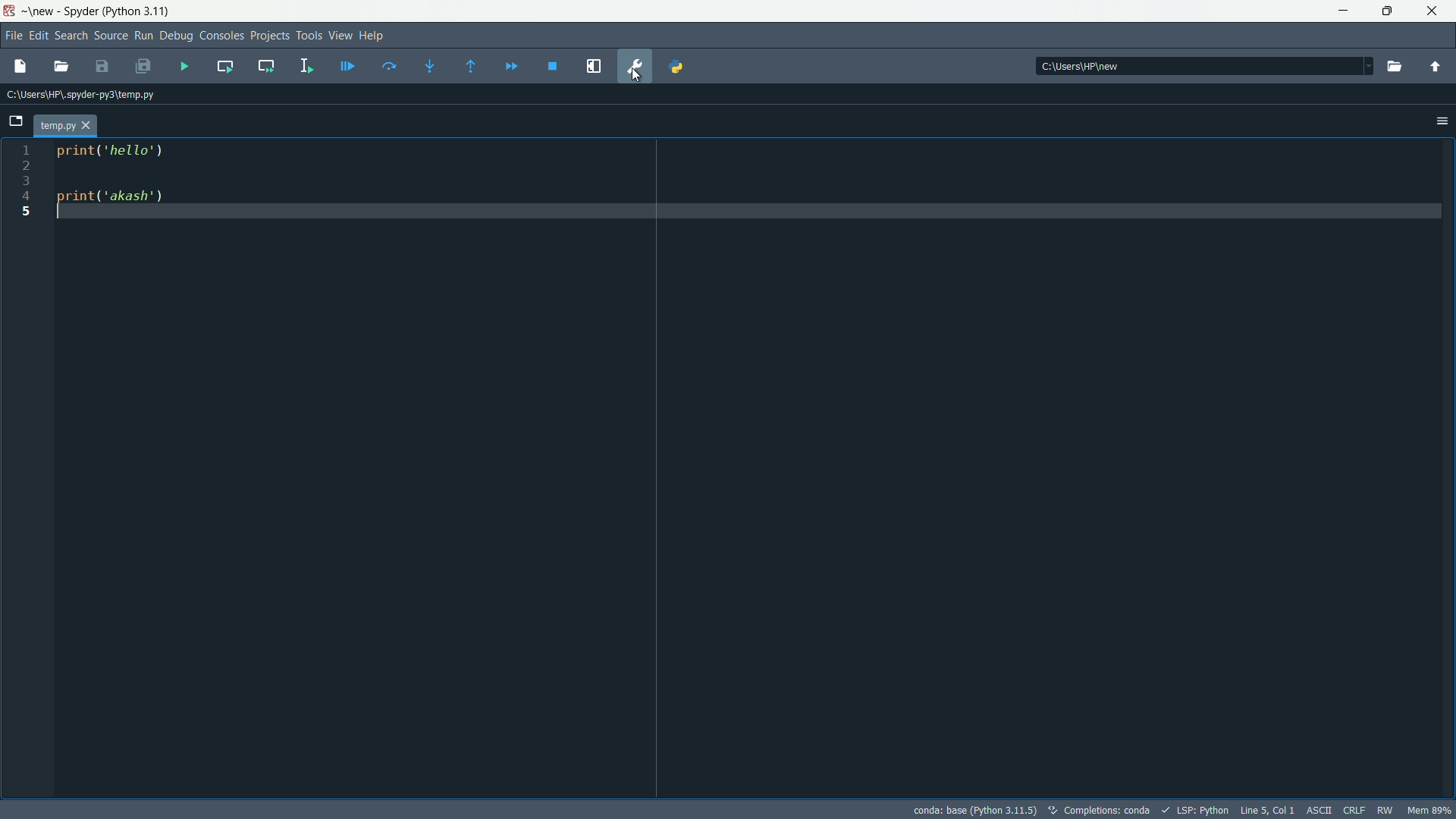  What do you see at coordinates (1203, 810) in the screenshot?
I see `LSP:Python` at bounding box center [1203, 810].